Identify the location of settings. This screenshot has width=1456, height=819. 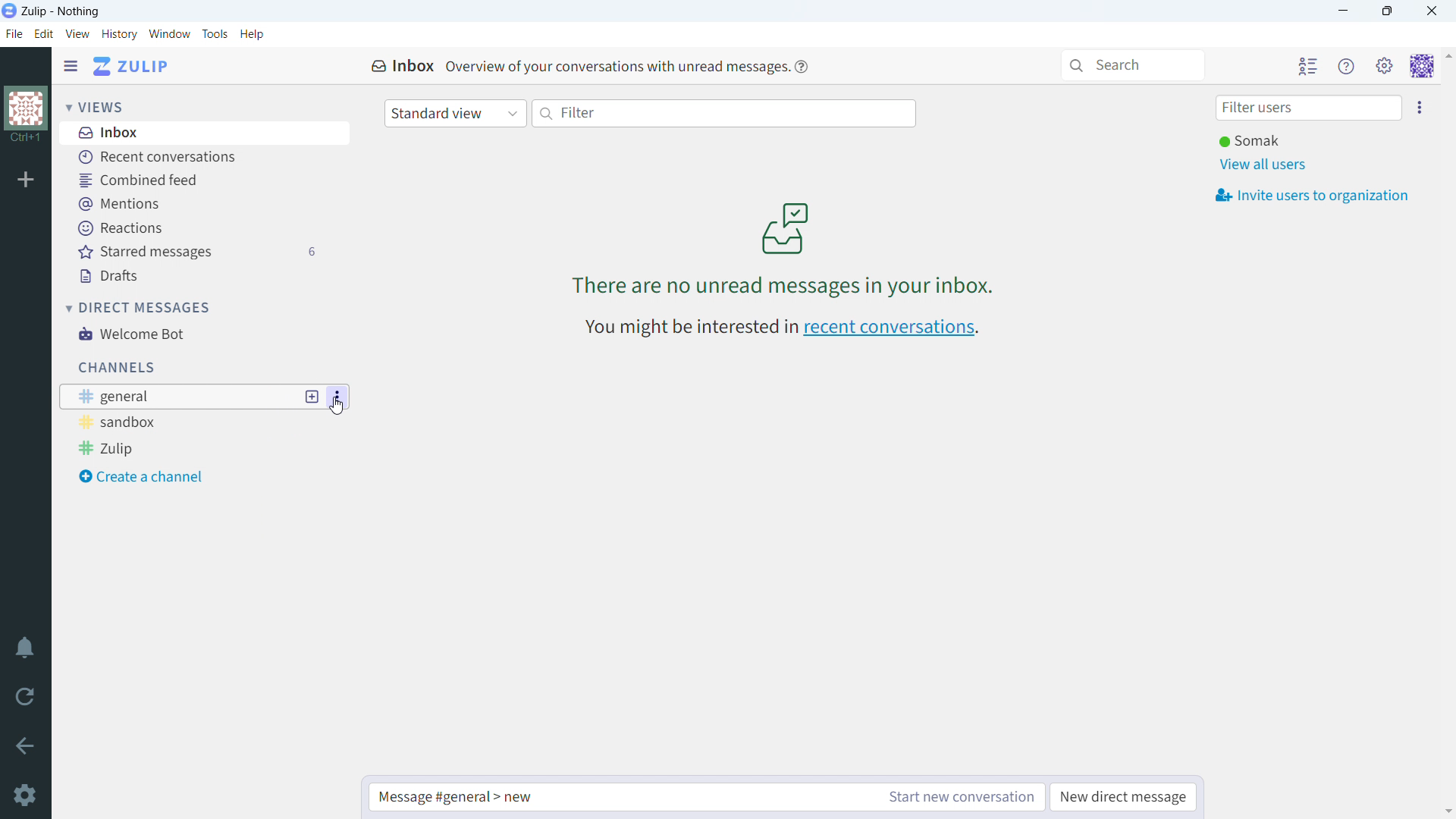
(24, 795).